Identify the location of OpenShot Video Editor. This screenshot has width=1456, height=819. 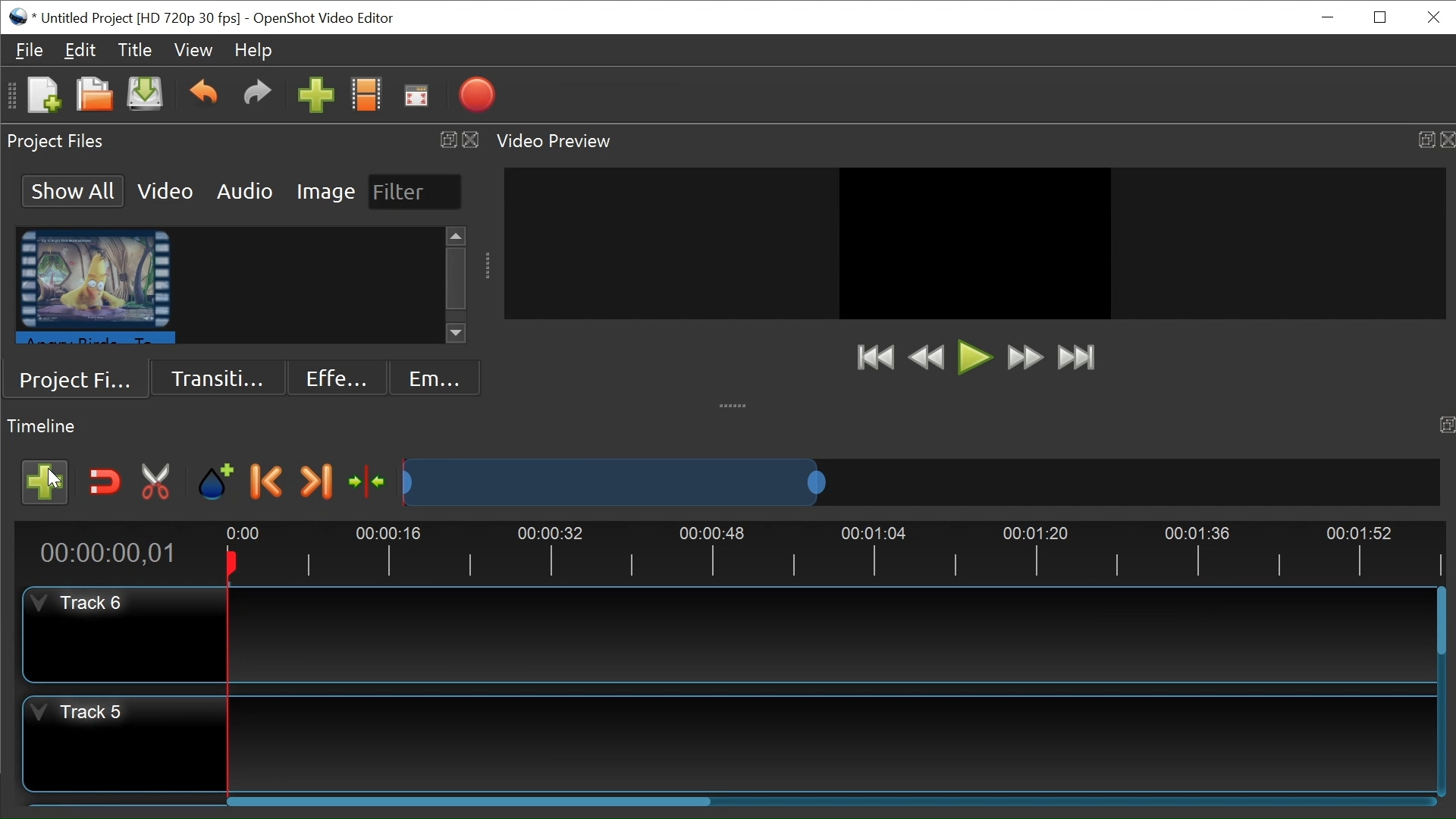
(324, 17).